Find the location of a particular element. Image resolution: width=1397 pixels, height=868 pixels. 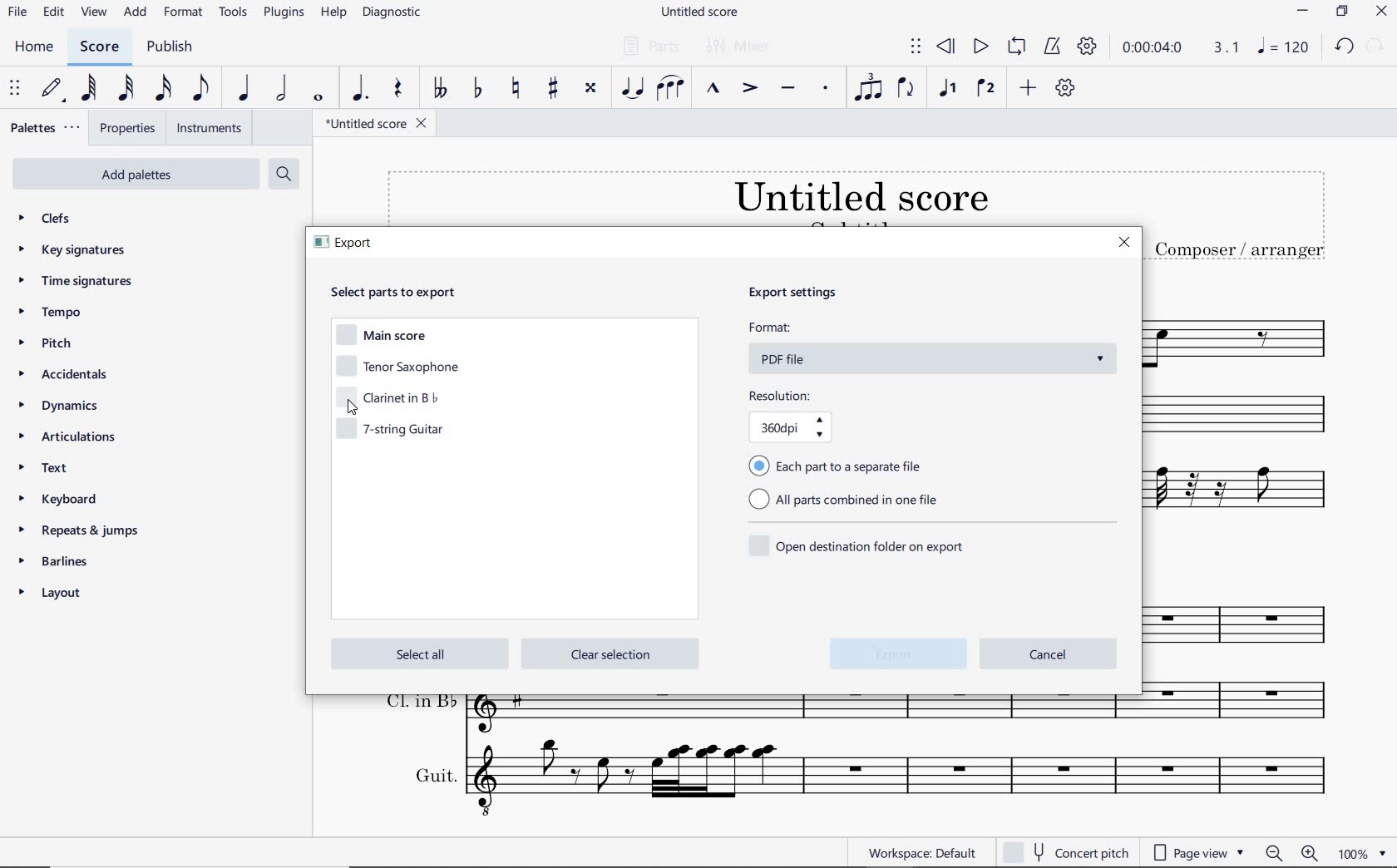

METRONOME is located at coordinates (1054, 47).